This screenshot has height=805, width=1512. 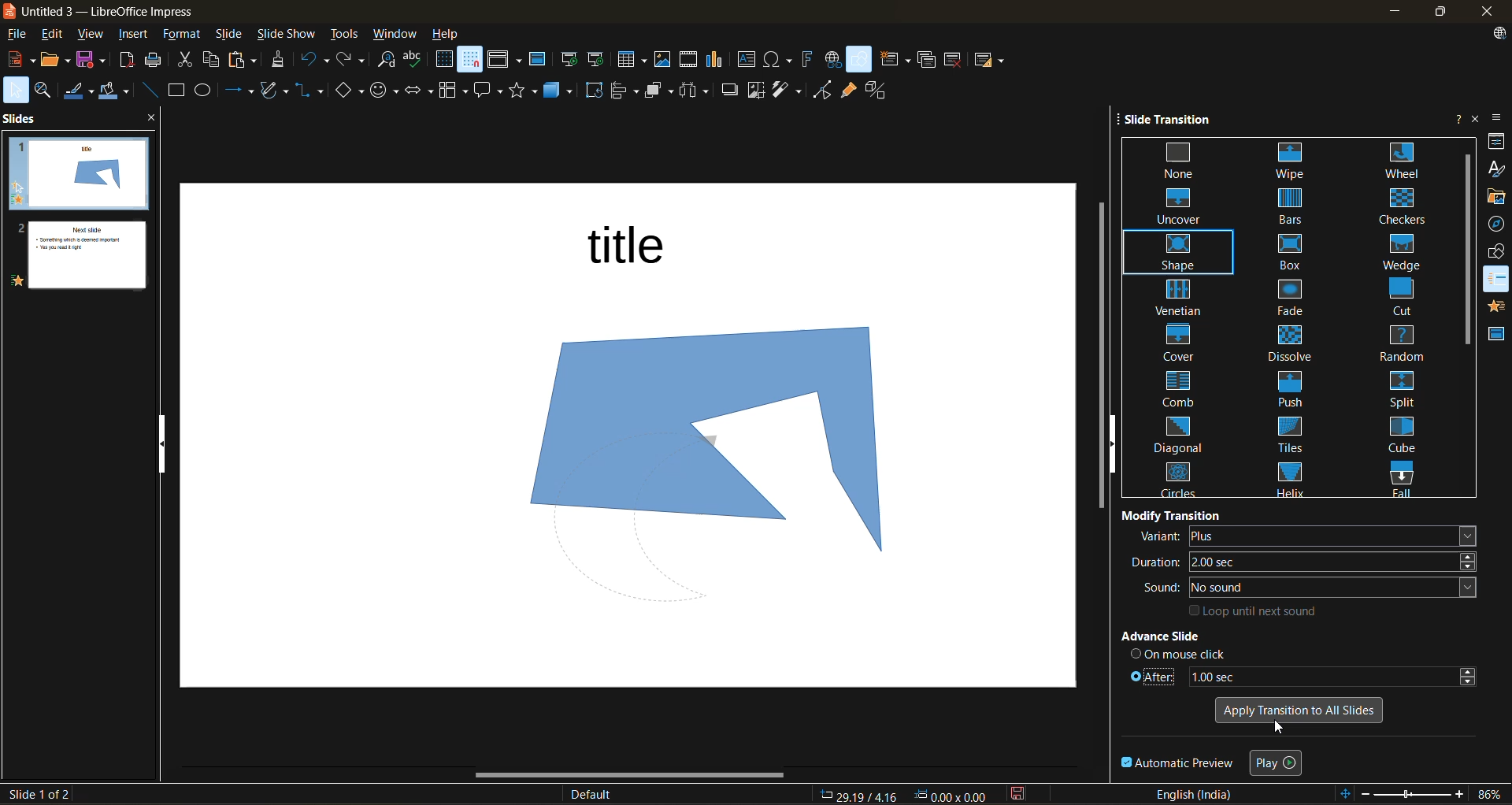 What do you see at coordinates (117, 93) in the screenshot?
I see `fill color` at bounding box center [117, 93].